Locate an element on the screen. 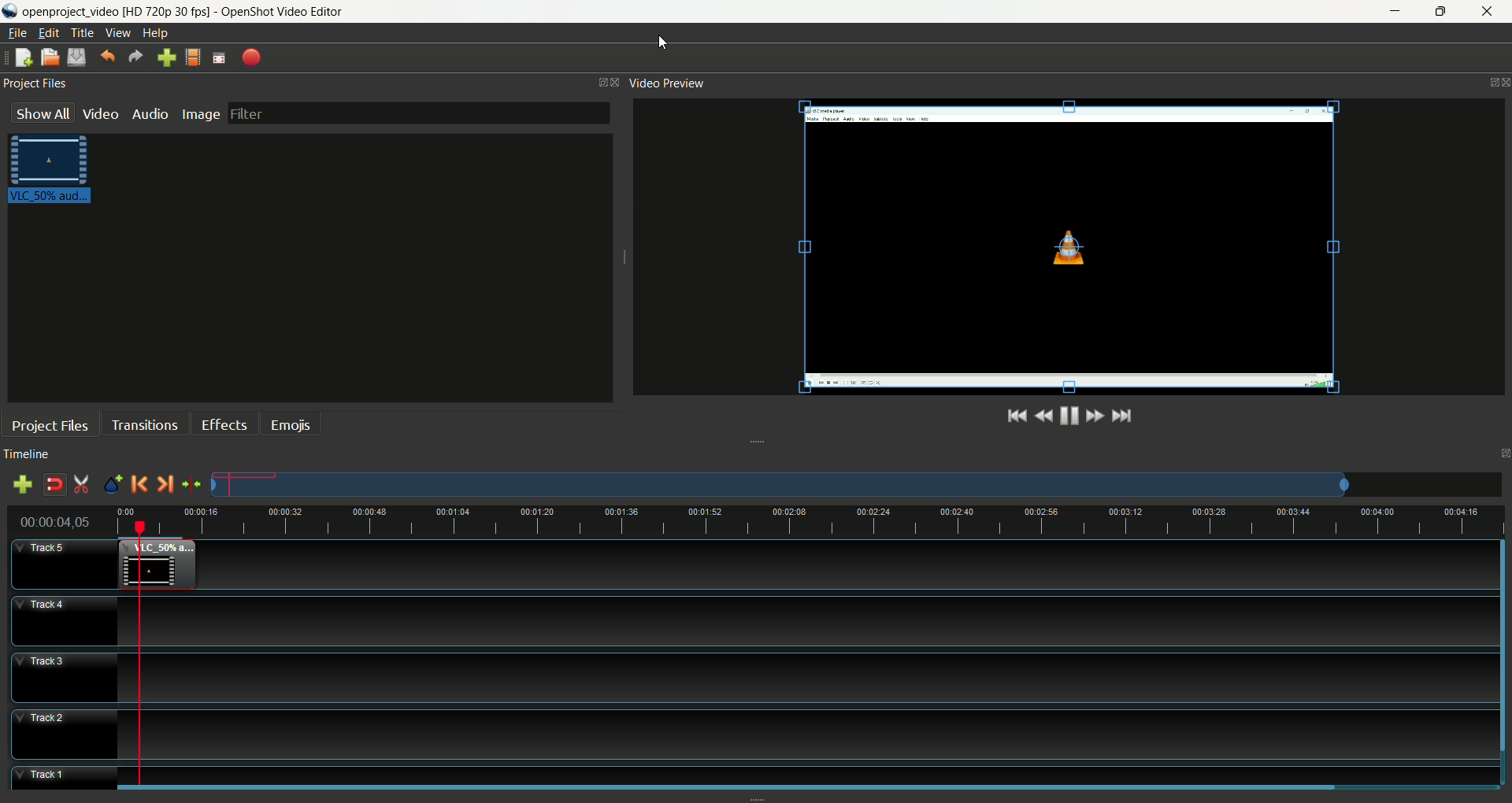 Image resolution: width=1512 pixels, height=803 pixels. edit is located at coordinates (46, 33).